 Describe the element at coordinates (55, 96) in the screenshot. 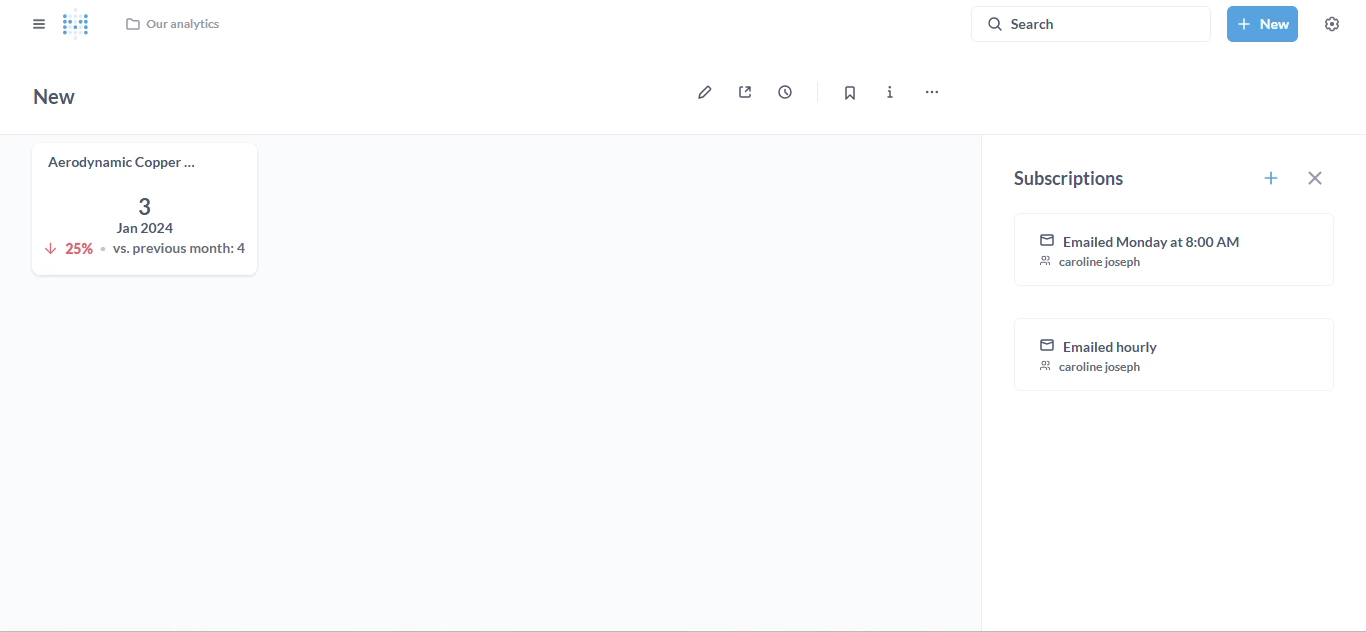

I see `new` at that location.